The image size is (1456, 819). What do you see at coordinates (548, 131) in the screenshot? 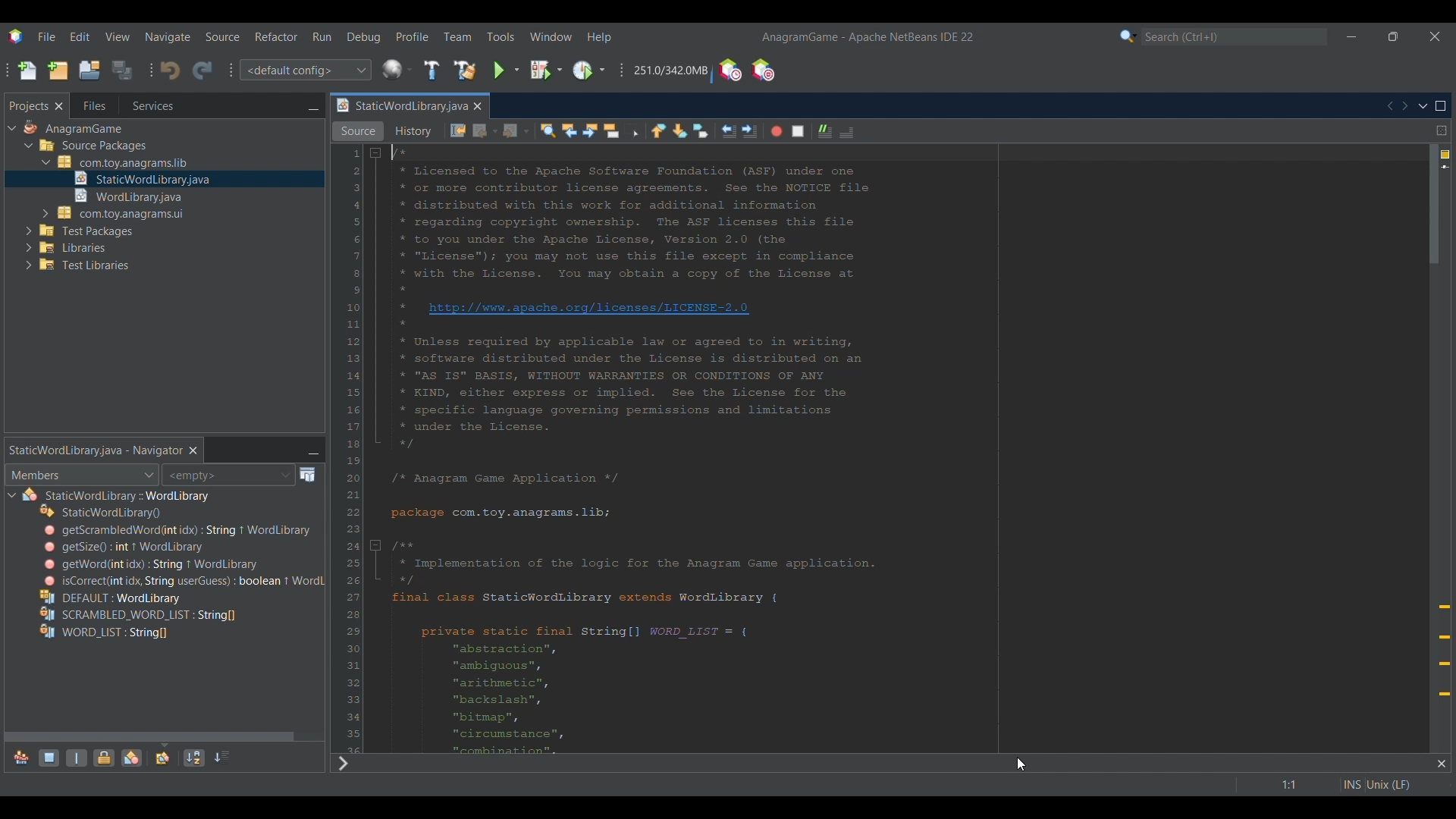
I see `Find selection` at bounding box center [548, 131].